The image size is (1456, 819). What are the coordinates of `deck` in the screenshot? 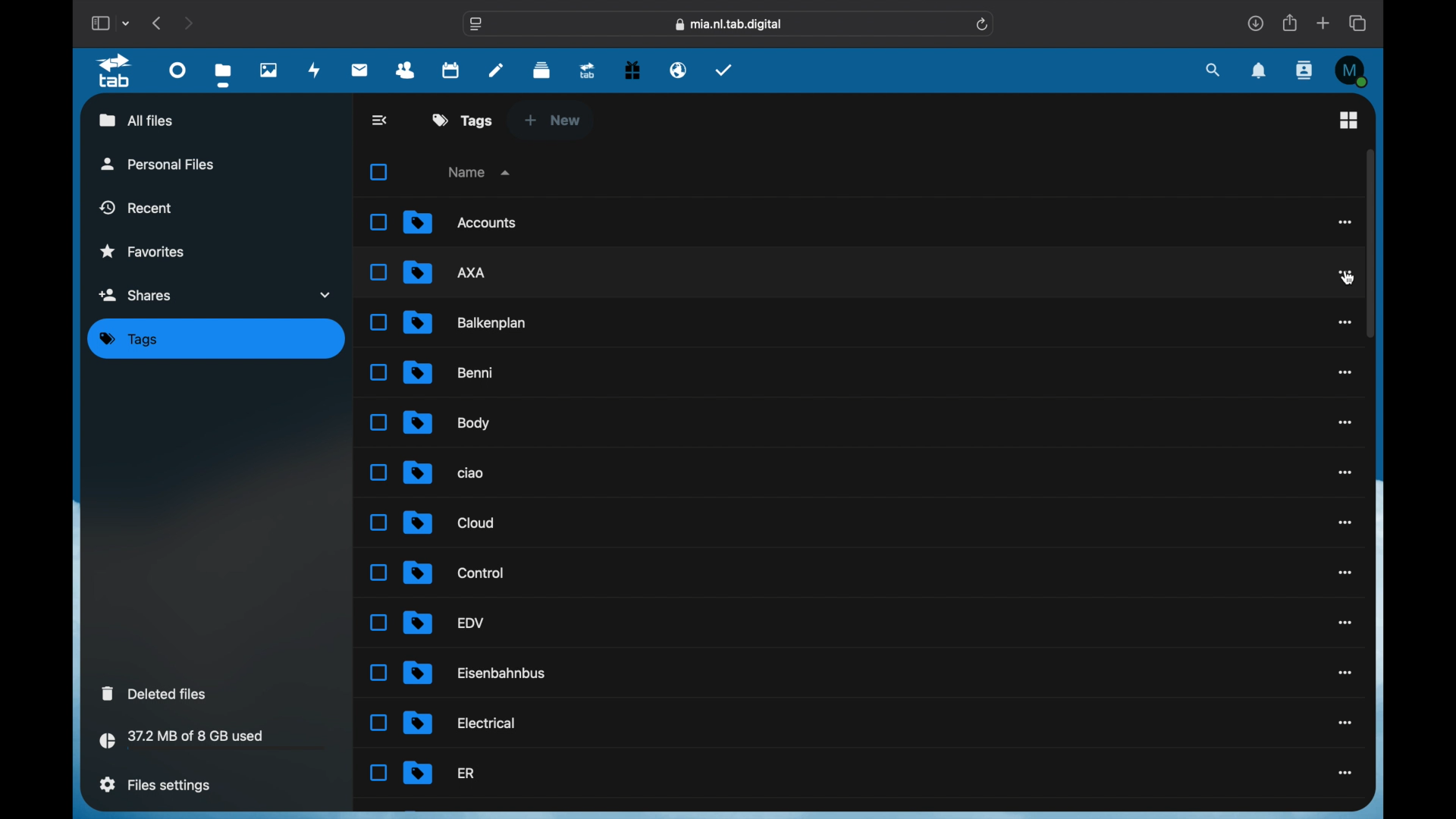 It's located at (542, 68).